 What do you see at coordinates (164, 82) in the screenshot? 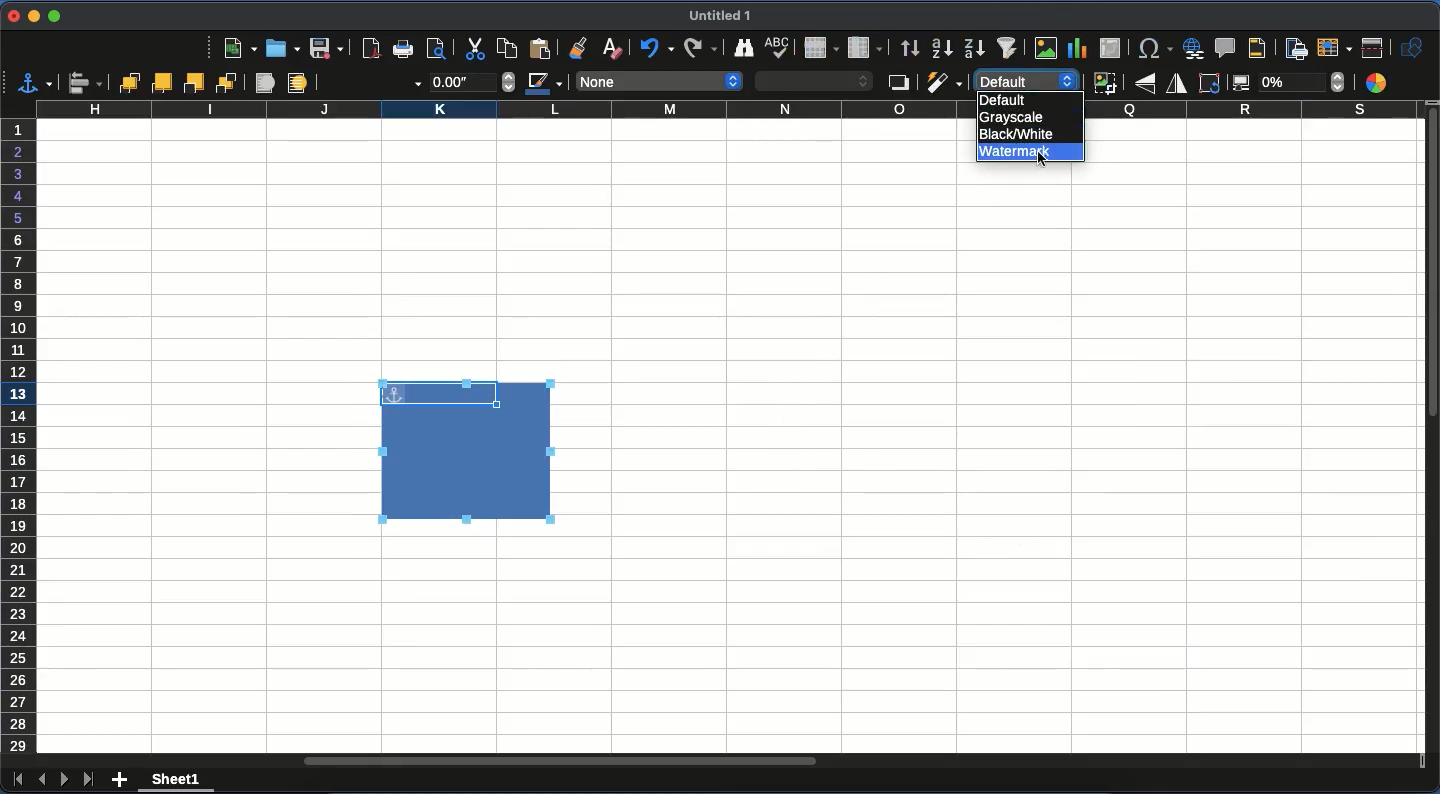
I see `forward one` at bounding box center [164, 82].